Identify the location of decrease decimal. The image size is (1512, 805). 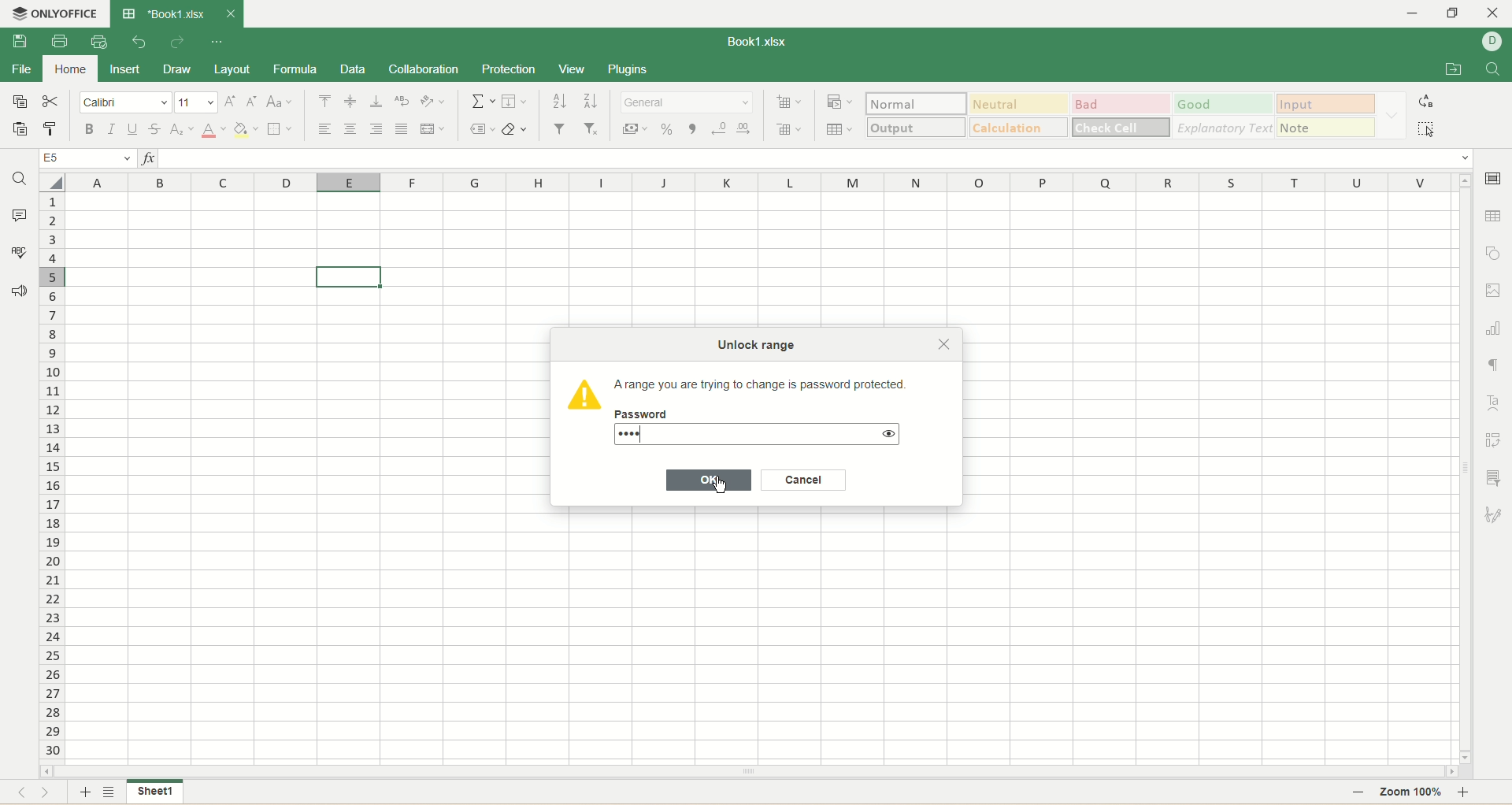
(717, 128).